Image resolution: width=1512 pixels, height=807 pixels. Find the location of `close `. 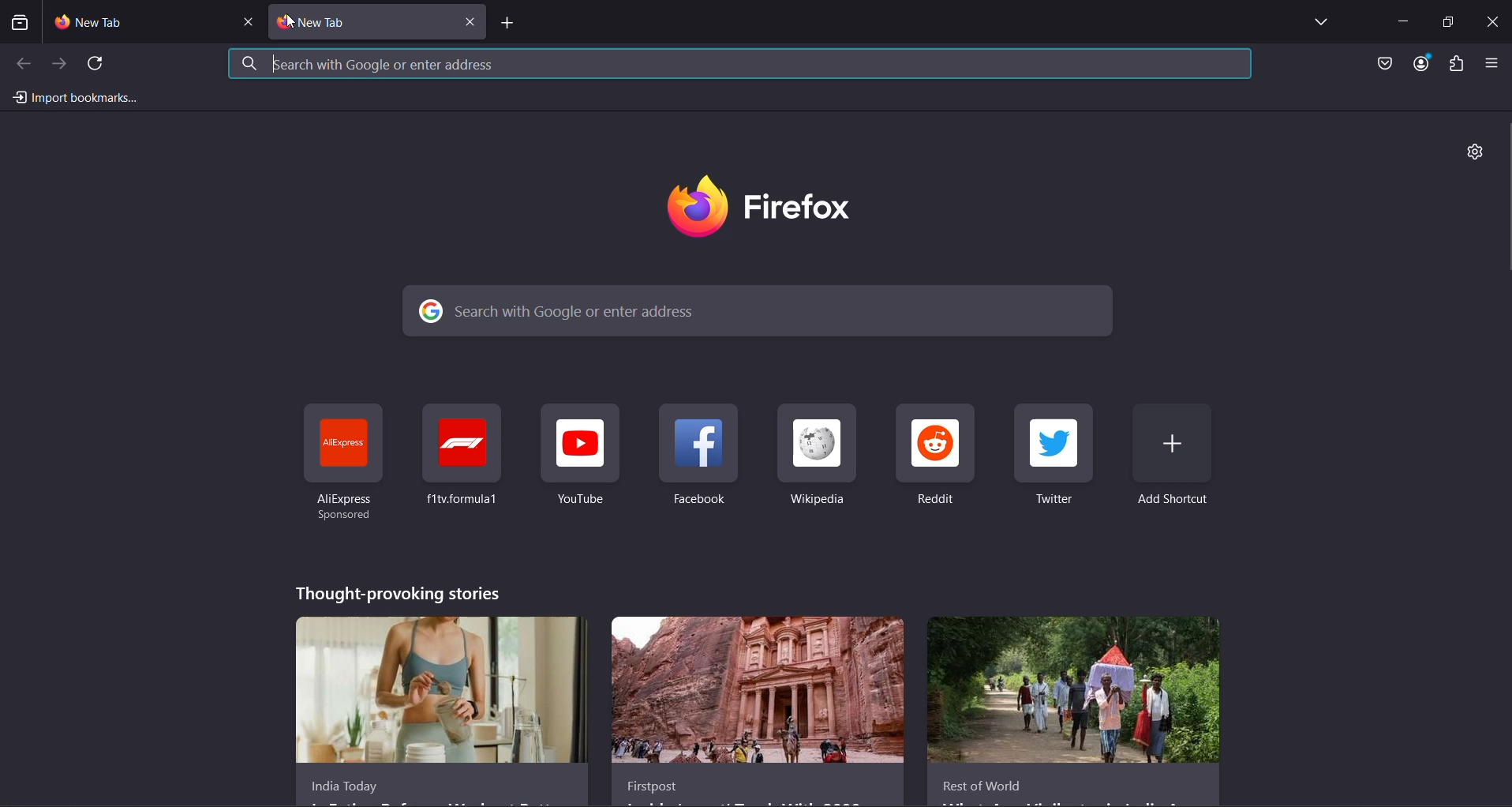

close  is located at coordinates (1495, 23).